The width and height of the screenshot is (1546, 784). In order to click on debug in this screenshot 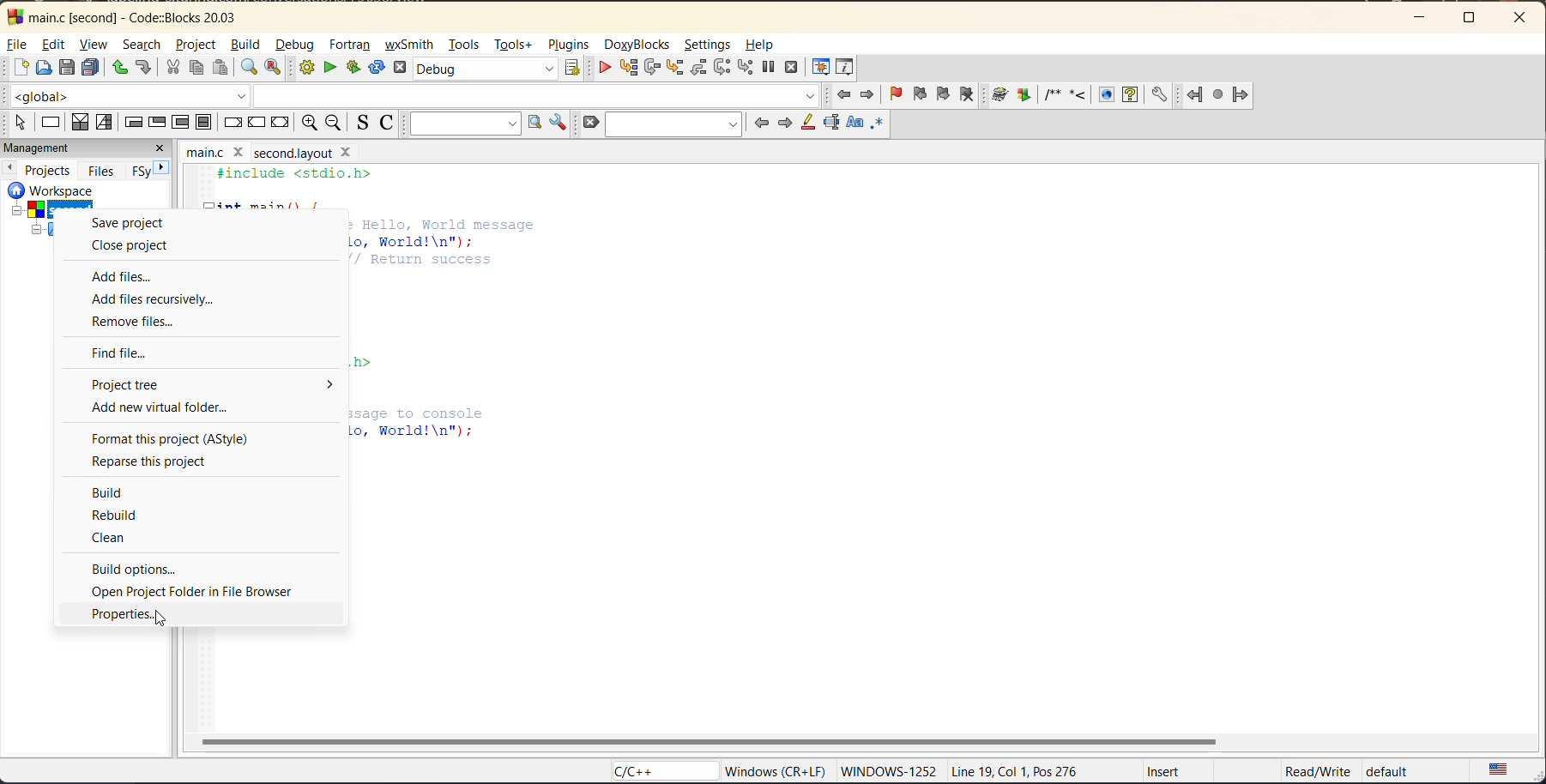, I will do `click(607, 69)`.